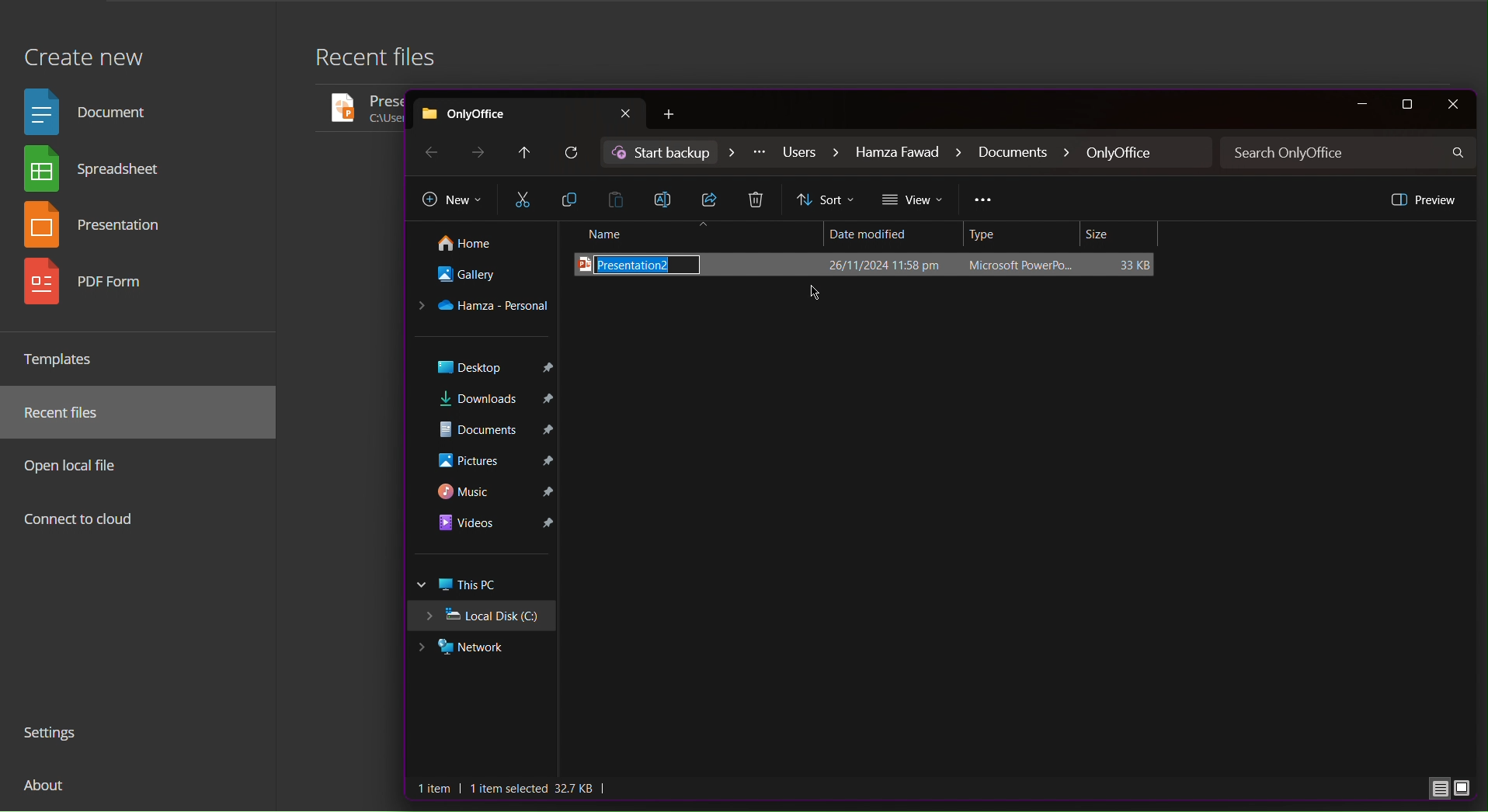  What do you see at coordinates (984, 202) in the screenshot?
I see `More` at bounding box center [984, 202].